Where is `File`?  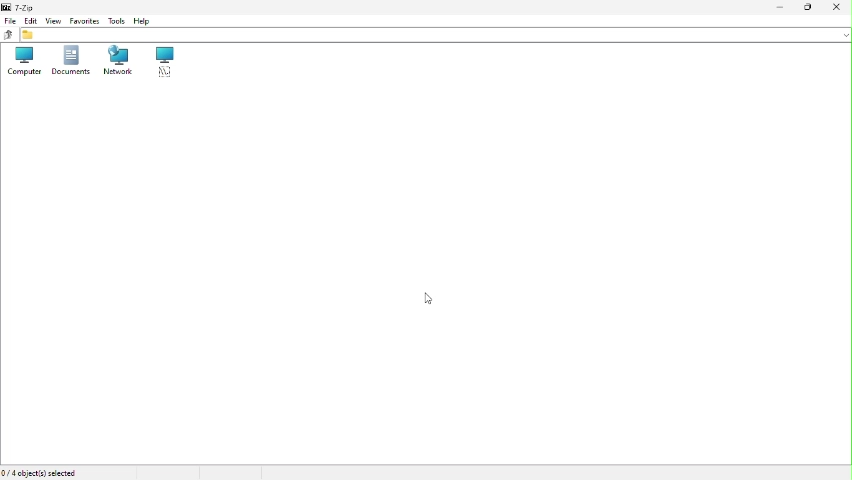 File is located at coordinates (9, 22).